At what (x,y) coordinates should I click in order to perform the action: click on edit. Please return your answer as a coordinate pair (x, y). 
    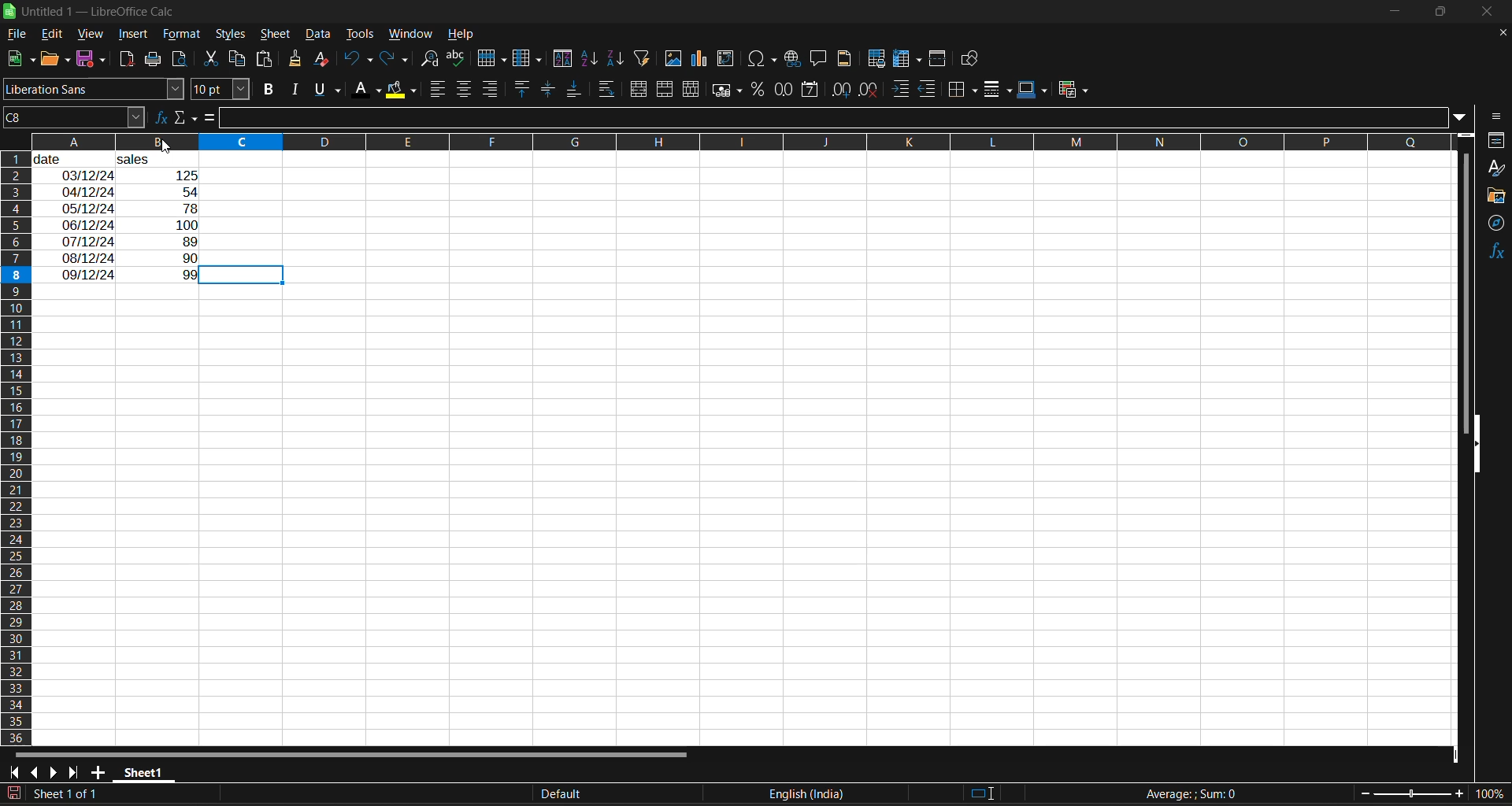
    Looking at the image, I should click on (55, 32).